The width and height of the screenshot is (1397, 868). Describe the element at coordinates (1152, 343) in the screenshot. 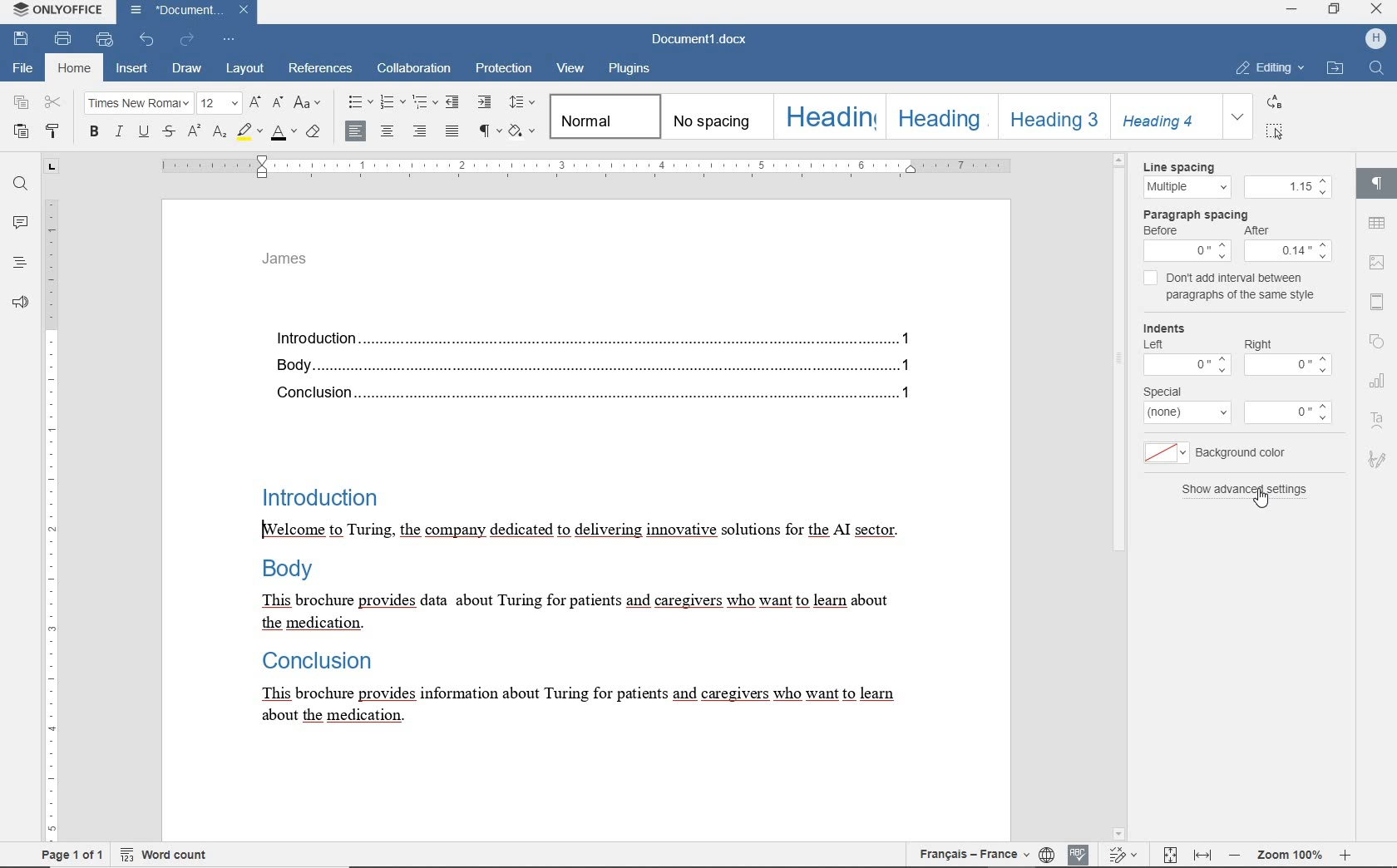

I see `left` at that location.